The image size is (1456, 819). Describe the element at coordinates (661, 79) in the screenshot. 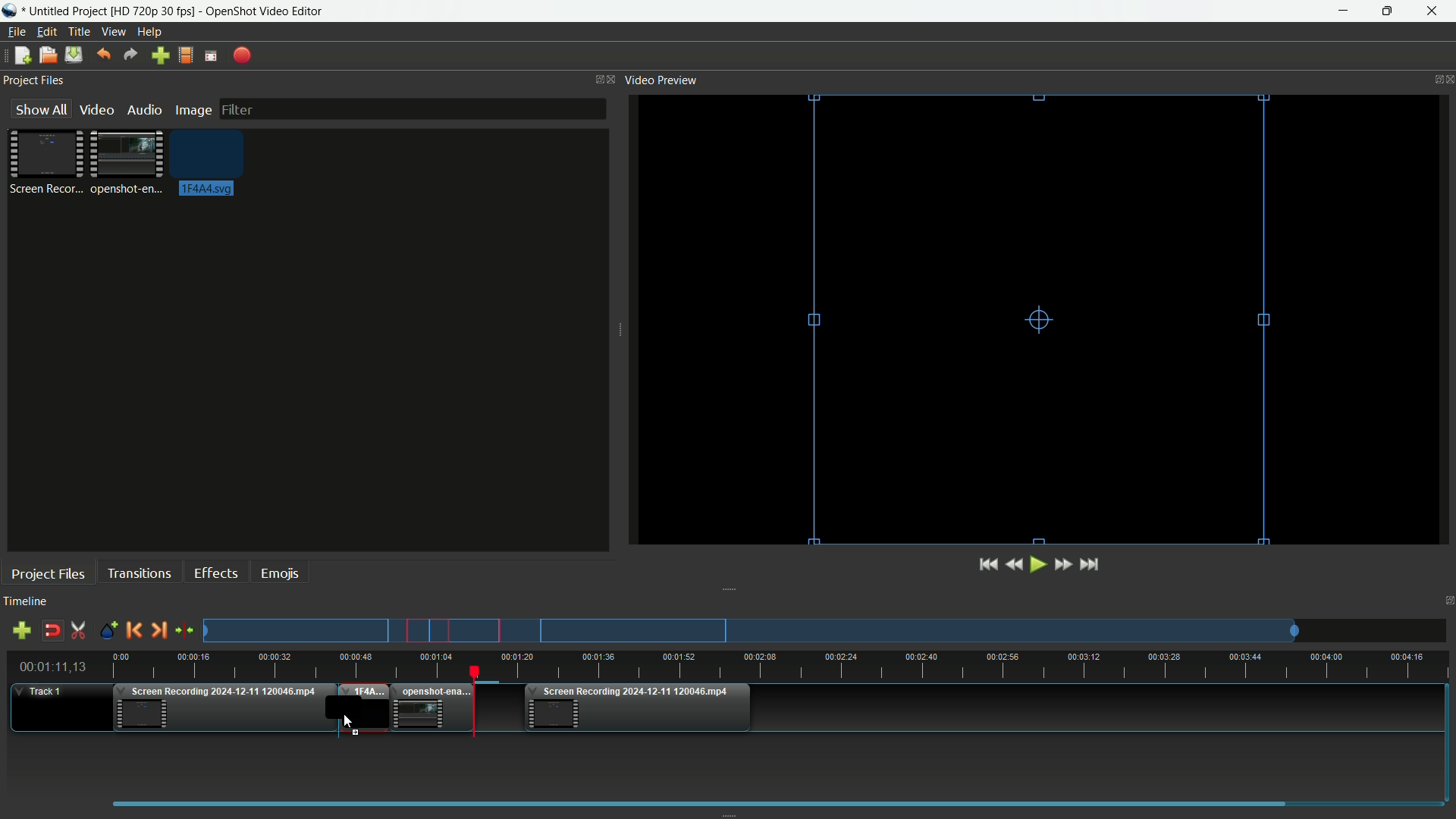

I see `Video preview` at that location.